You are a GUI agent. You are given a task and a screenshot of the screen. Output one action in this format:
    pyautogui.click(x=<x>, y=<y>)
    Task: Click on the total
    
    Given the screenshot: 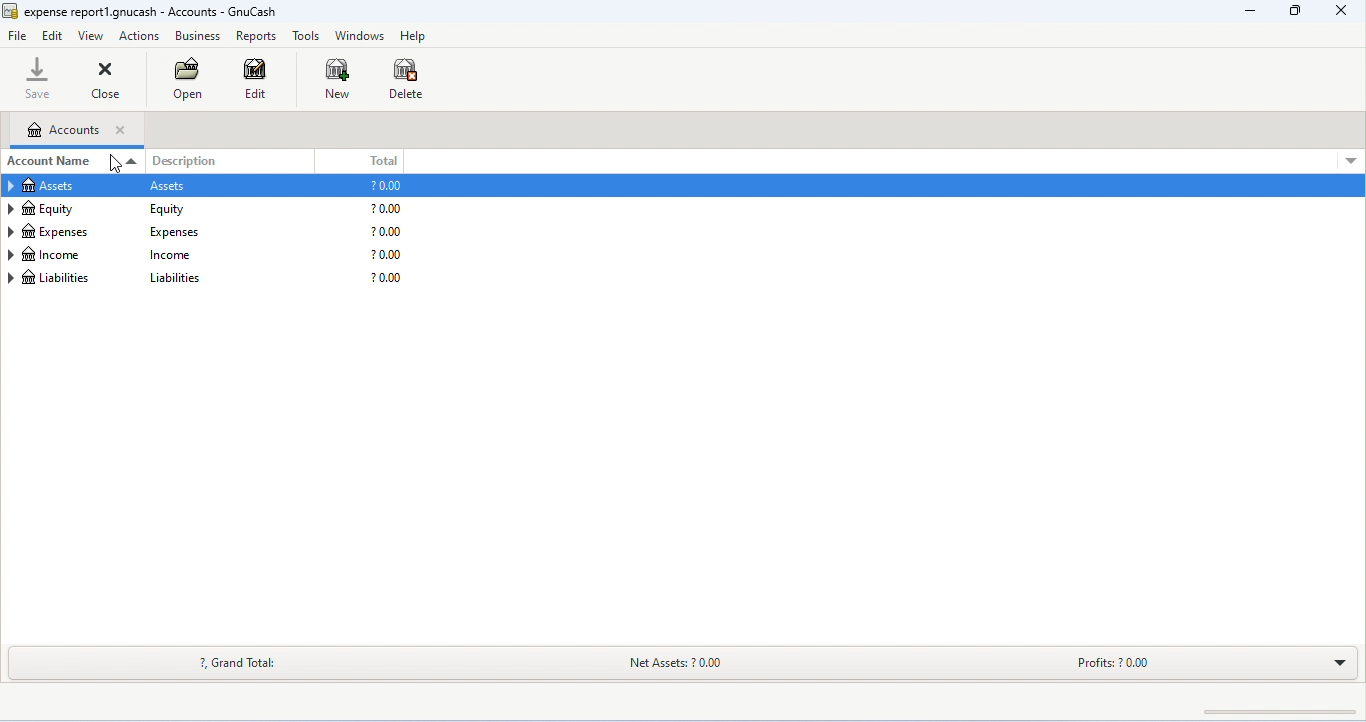 What is the action you would take?
    pyautogui.click(x=382, y=161)
    